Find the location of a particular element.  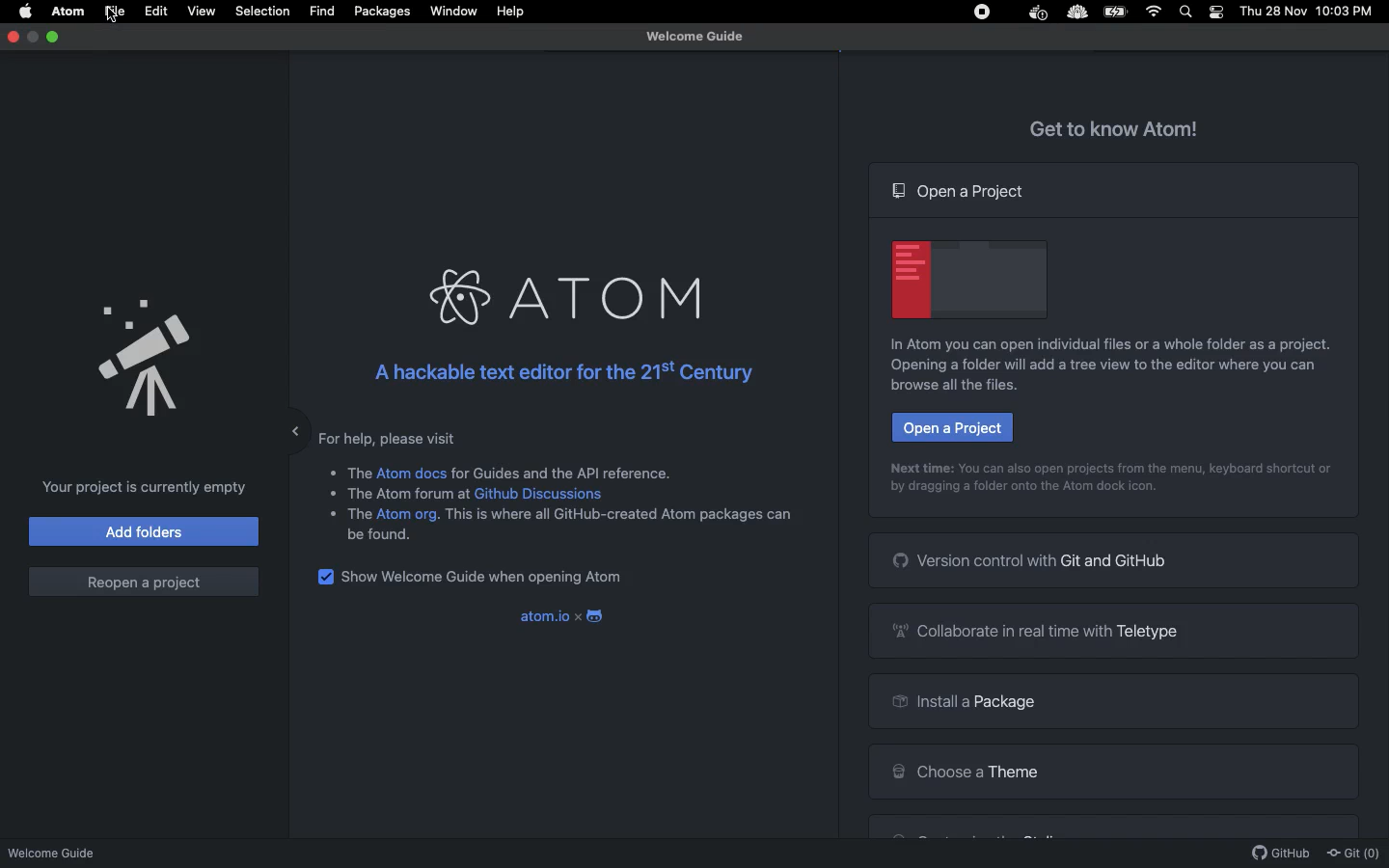

 is located at coordinates (1076, 14).